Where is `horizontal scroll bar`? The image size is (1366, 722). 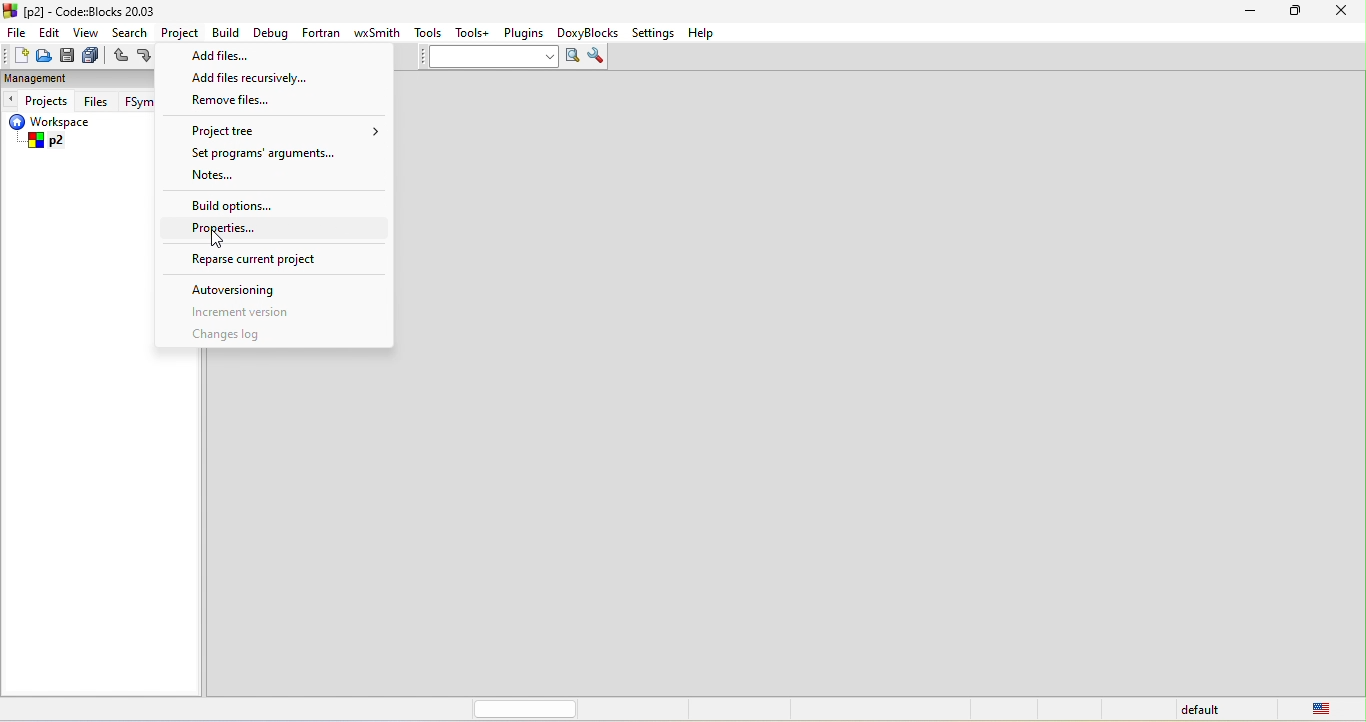 horizontal scroll bar is located at coordinates (526, 709).